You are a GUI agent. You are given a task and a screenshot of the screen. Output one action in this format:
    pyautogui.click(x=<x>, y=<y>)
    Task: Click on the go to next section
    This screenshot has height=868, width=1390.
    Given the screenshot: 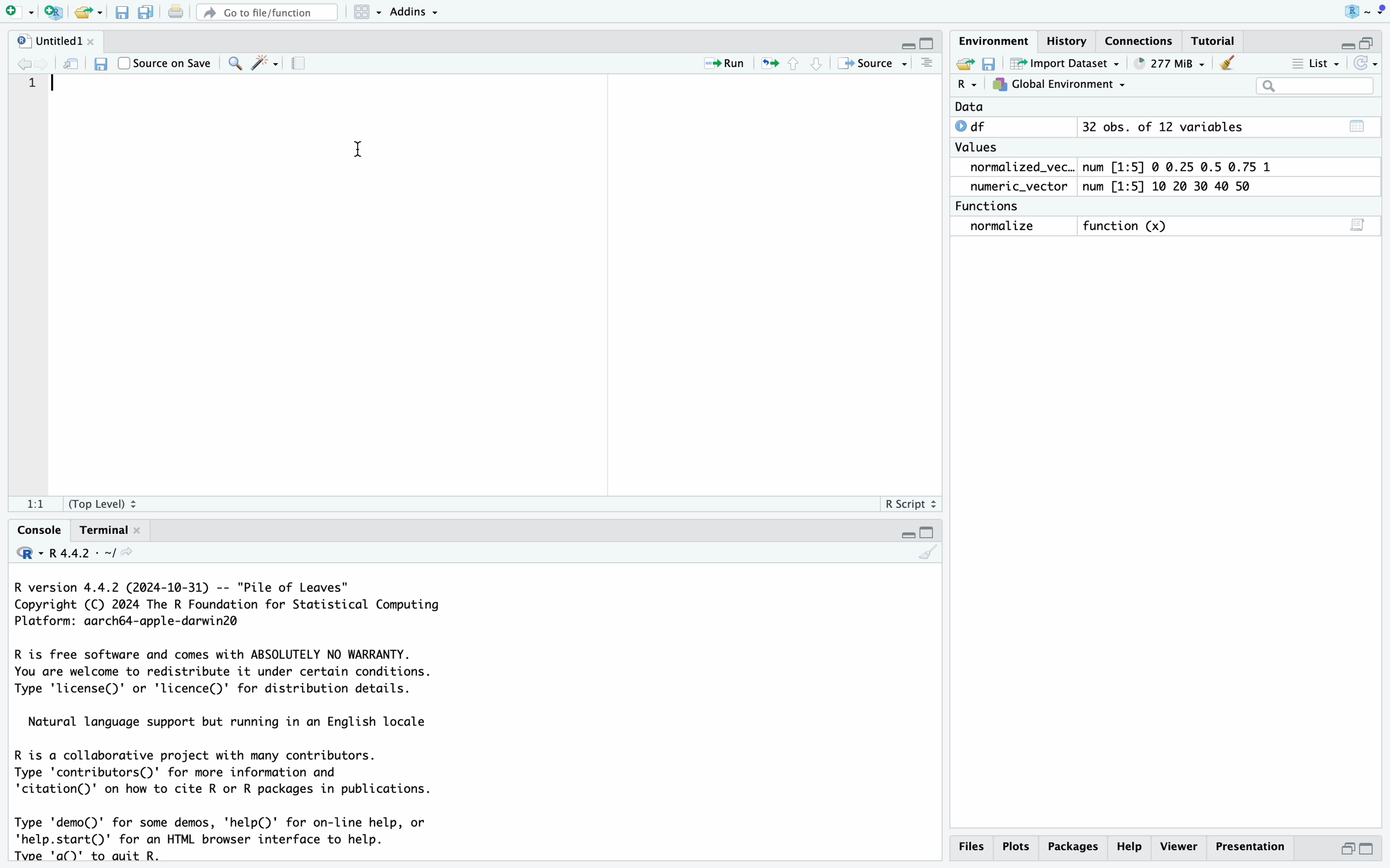 What is the action you would take?
    pyautogui.click(x=817, y=63)
    